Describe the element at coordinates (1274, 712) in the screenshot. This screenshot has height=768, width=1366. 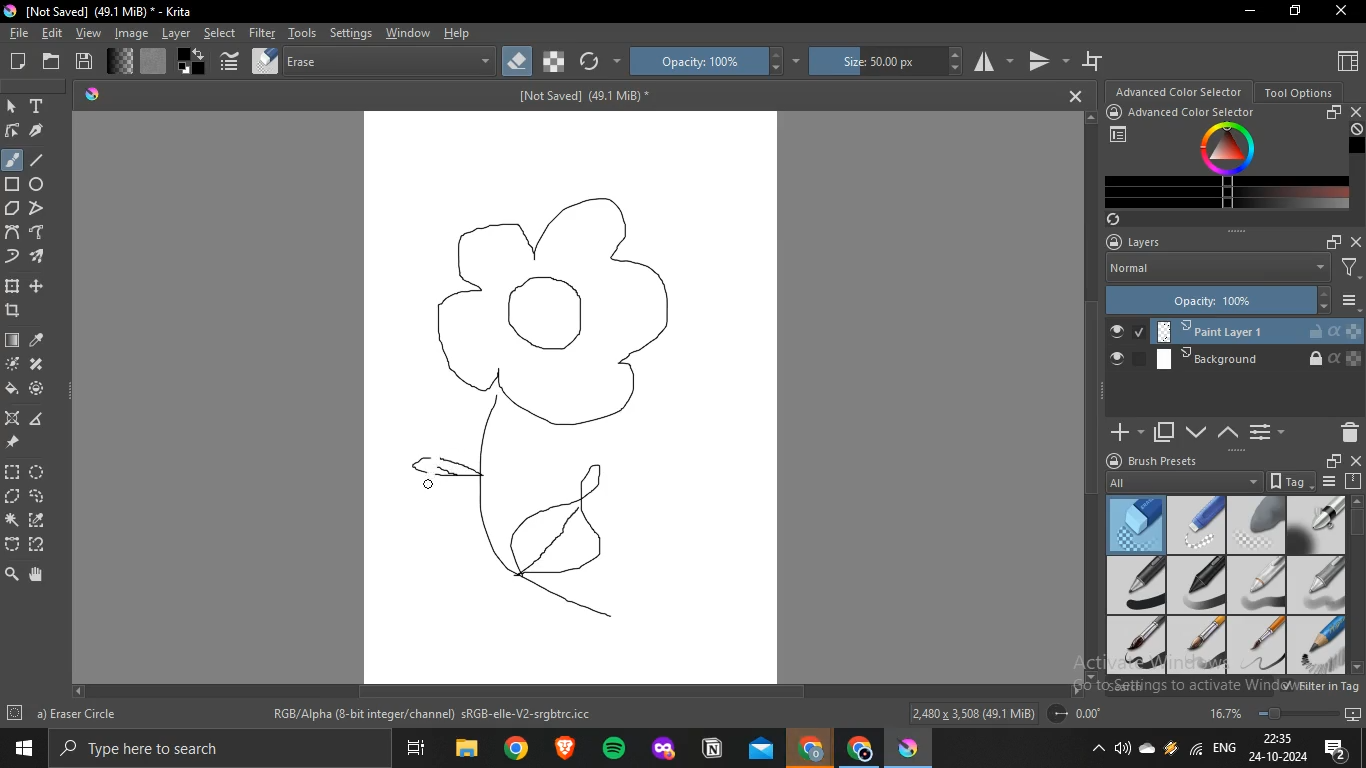
I see `Zoom` at that location.